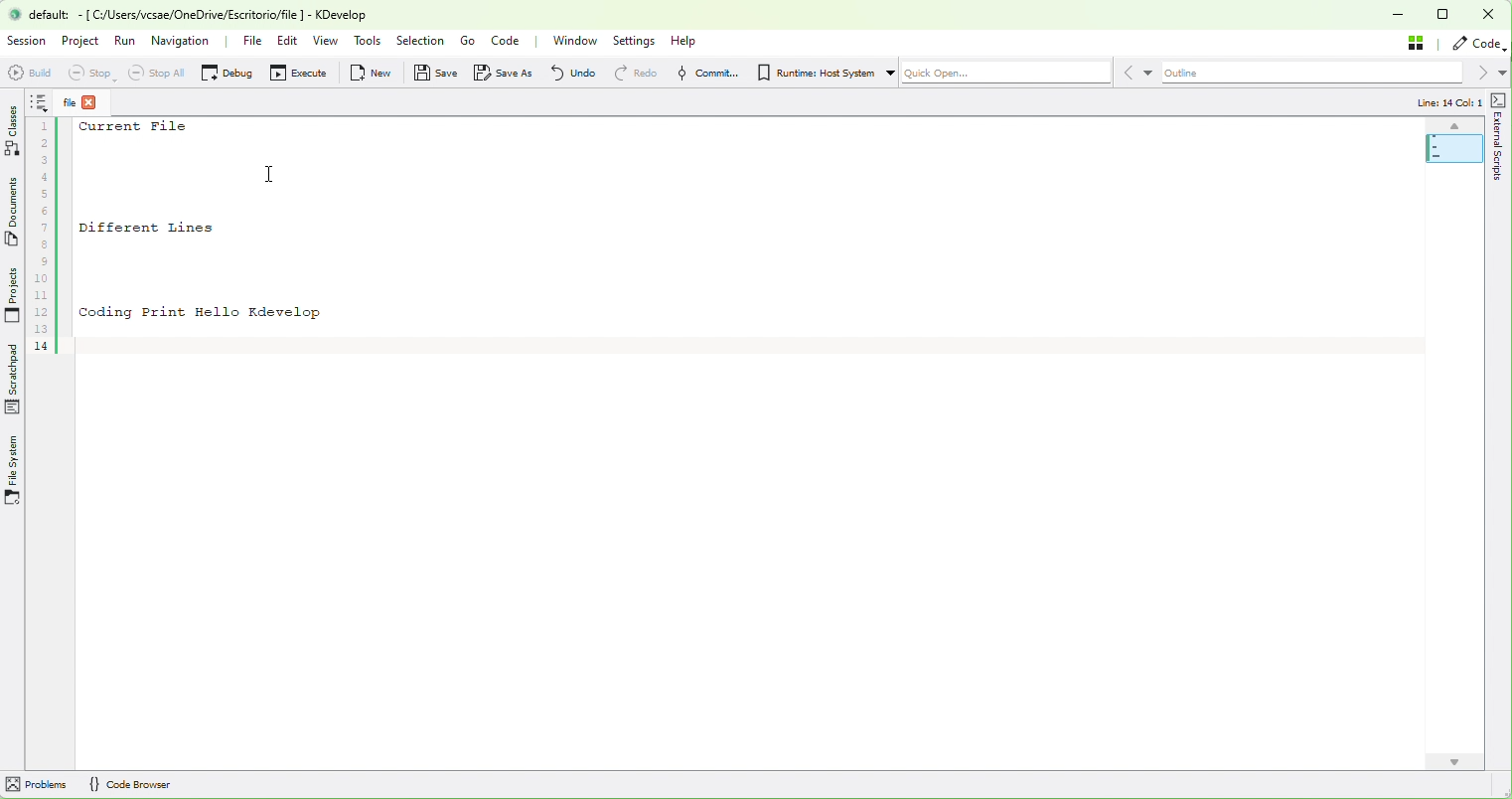  Describe the element at coordinates (127, 41) in the screenshot. I see `Run` at that location.